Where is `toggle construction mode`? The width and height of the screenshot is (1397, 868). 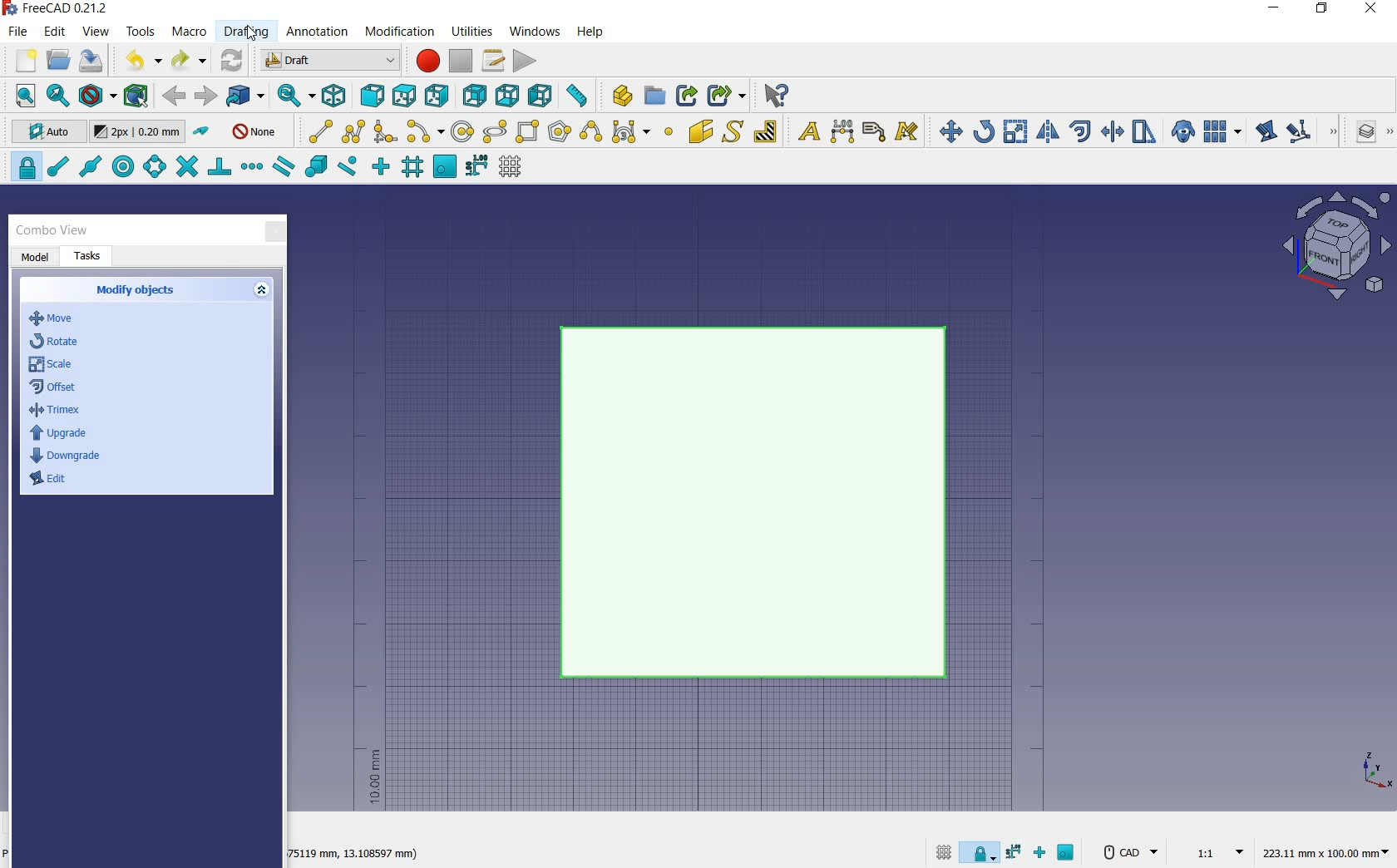
toggle construction mode is located at coordinates (203, 132).